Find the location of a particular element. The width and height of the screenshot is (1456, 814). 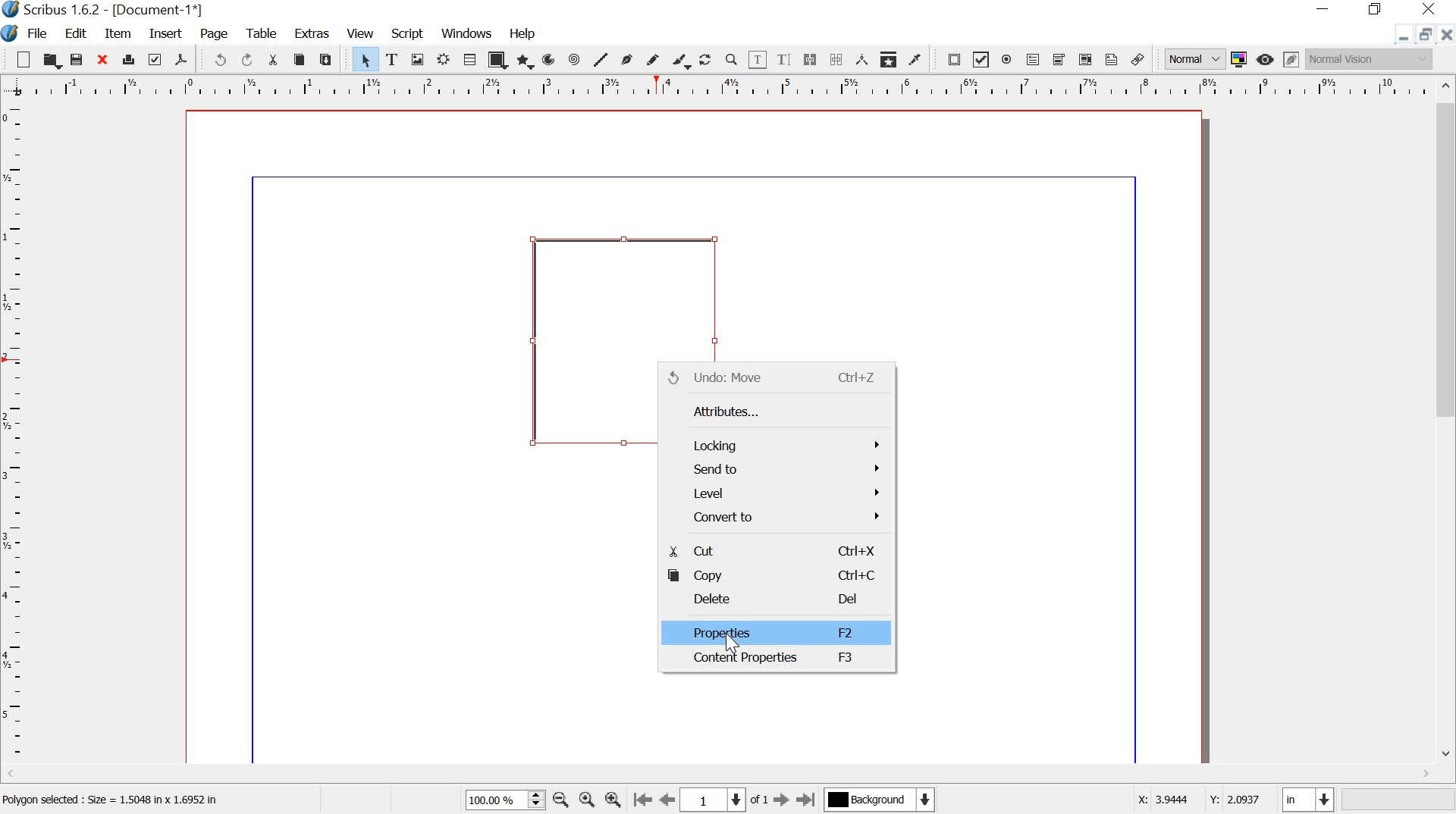

1 is located at coordinates (713, 800).